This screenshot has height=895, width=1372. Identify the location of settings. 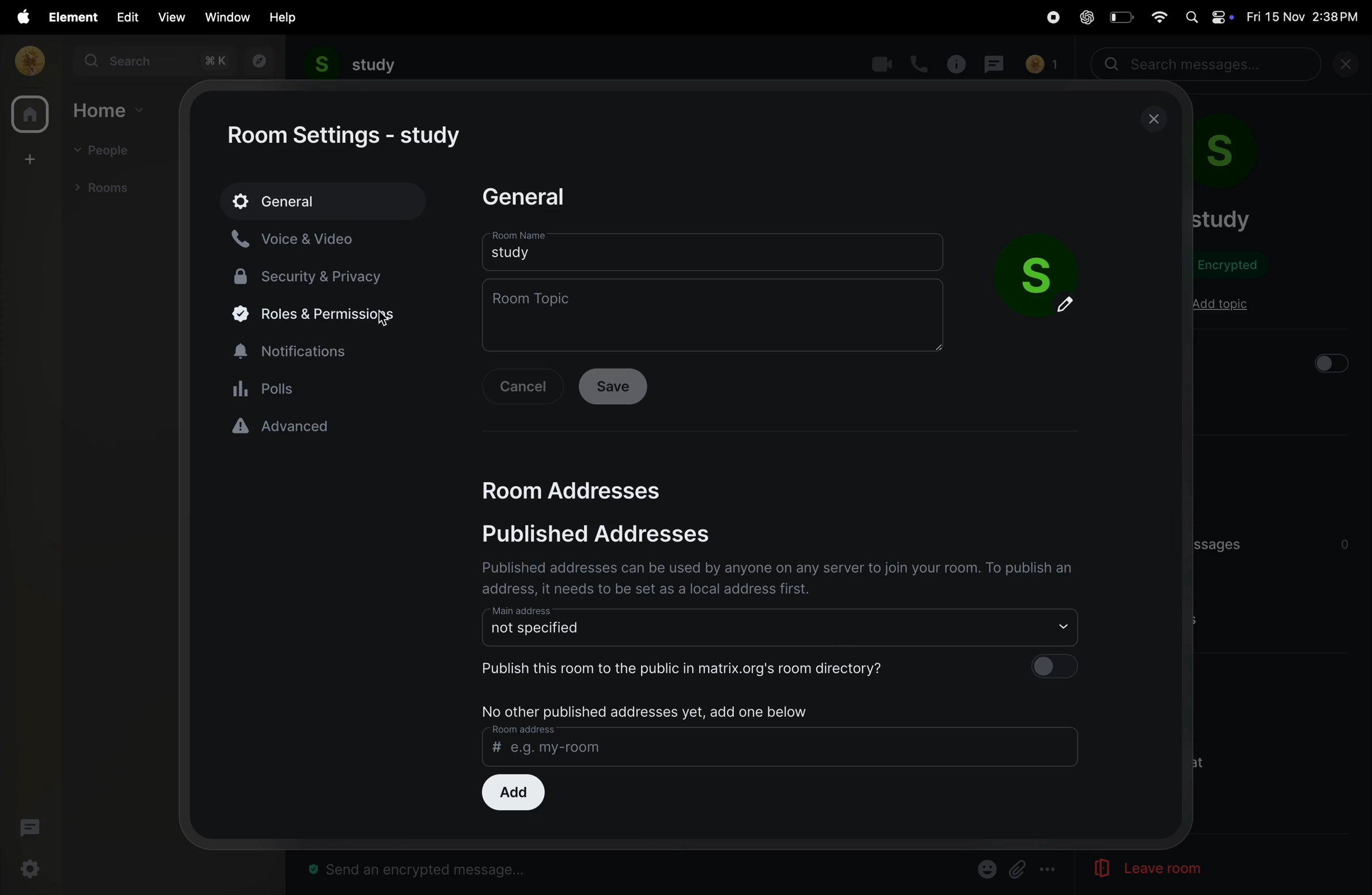
(32, 870).